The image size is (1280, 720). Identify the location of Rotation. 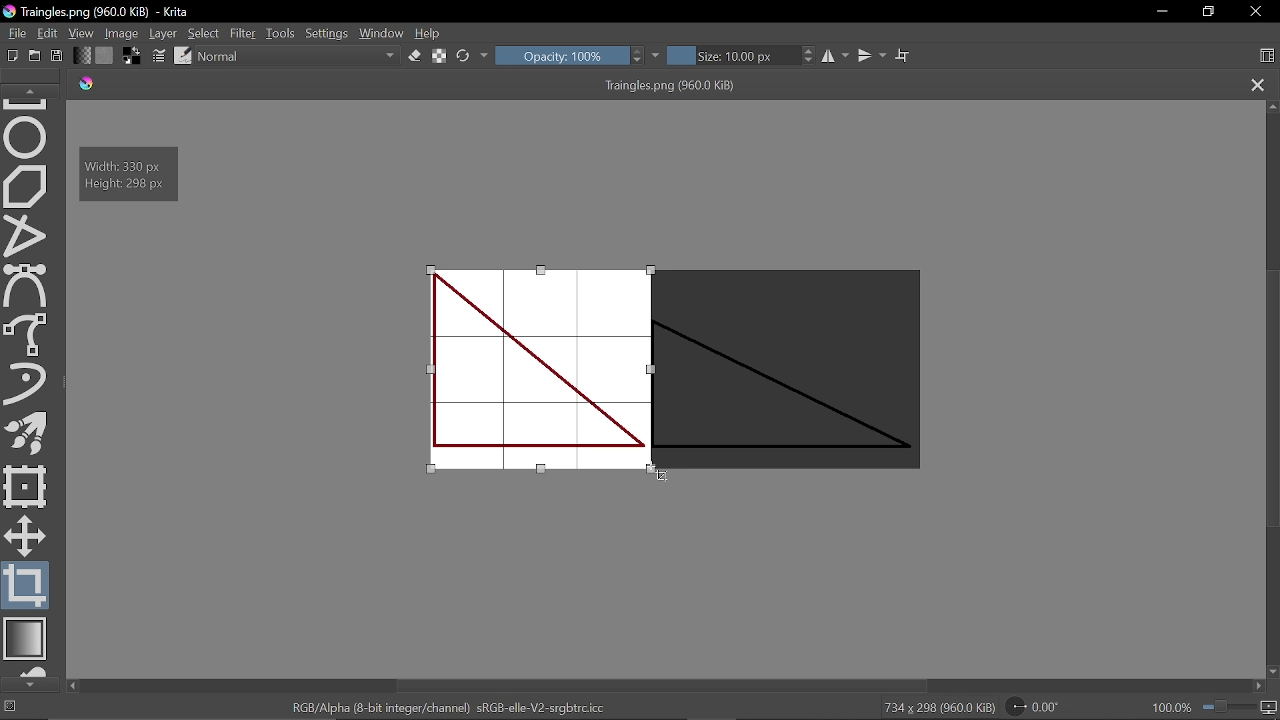
(1039, 707).